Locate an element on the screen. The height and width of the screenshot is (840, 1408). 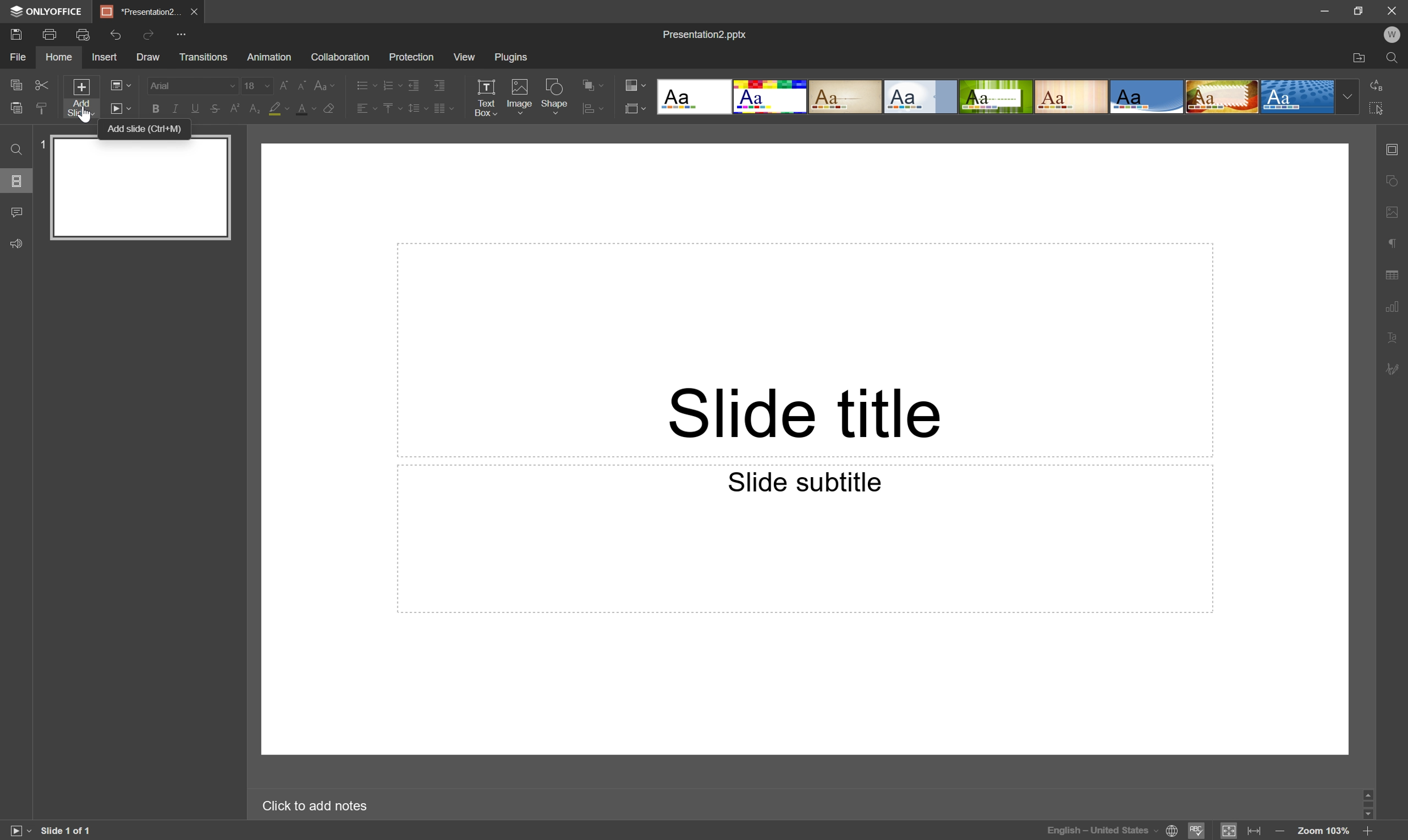
Click to add notes is located at coordinates (322, 804).